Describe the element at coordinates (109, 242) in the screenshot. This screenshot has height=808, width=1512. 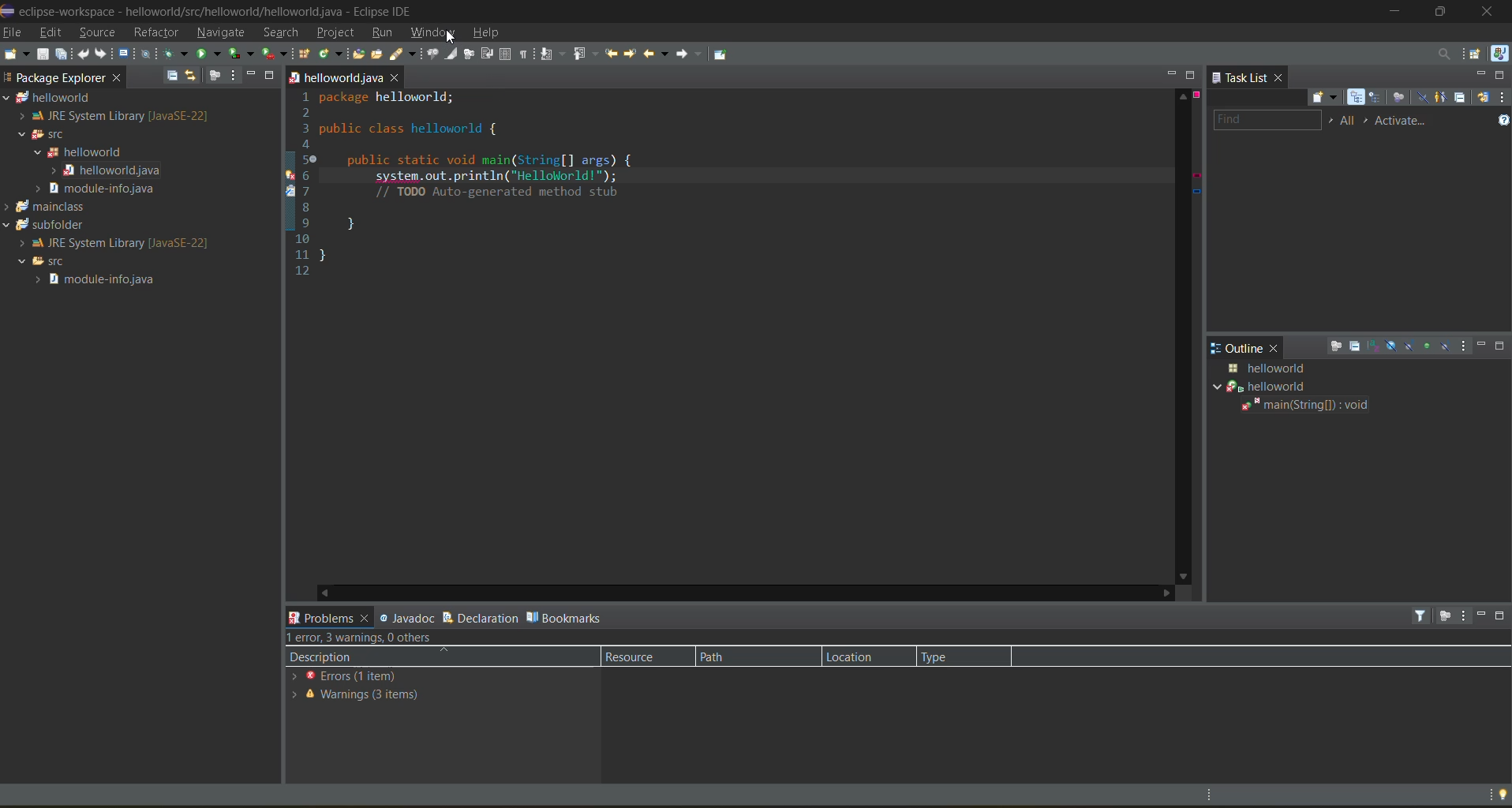
I see `JRE System Library[Java SE-22]` at that location.